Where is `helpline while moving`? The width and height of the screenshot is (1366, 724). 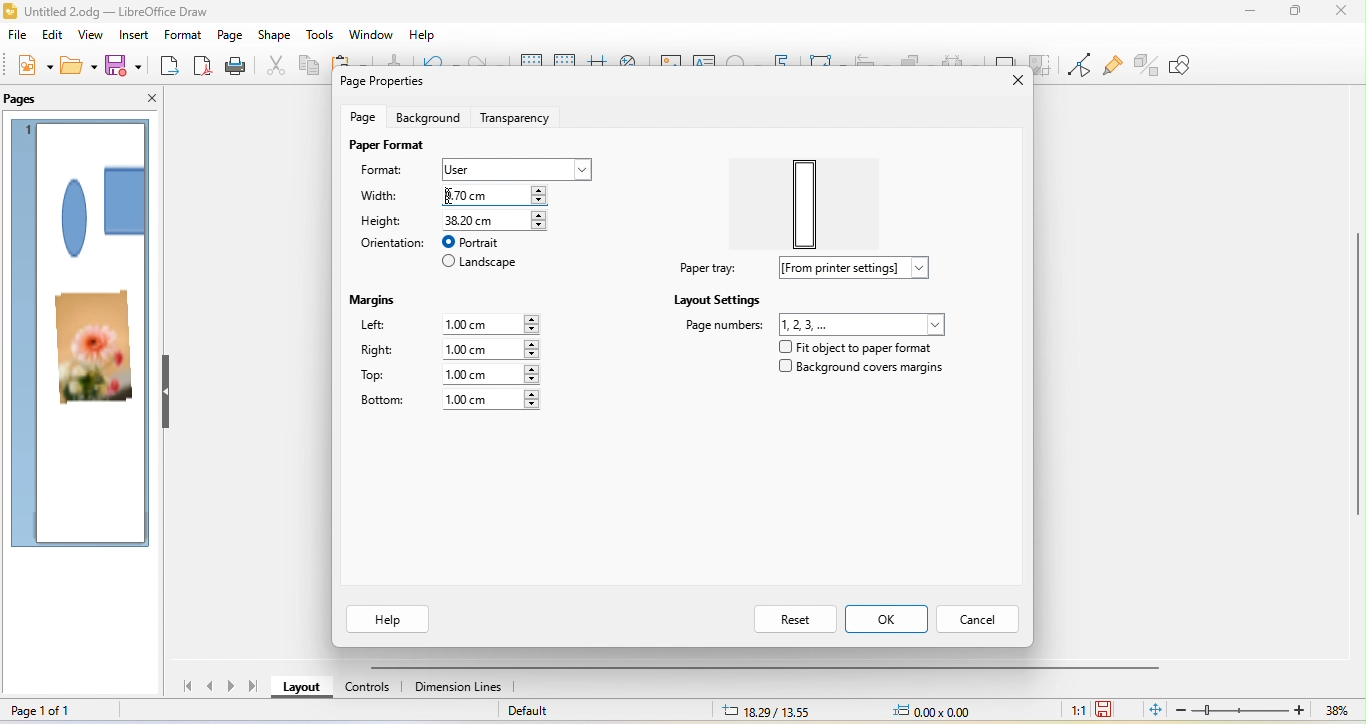 helpline while moving is located at coordinates (598, 62).